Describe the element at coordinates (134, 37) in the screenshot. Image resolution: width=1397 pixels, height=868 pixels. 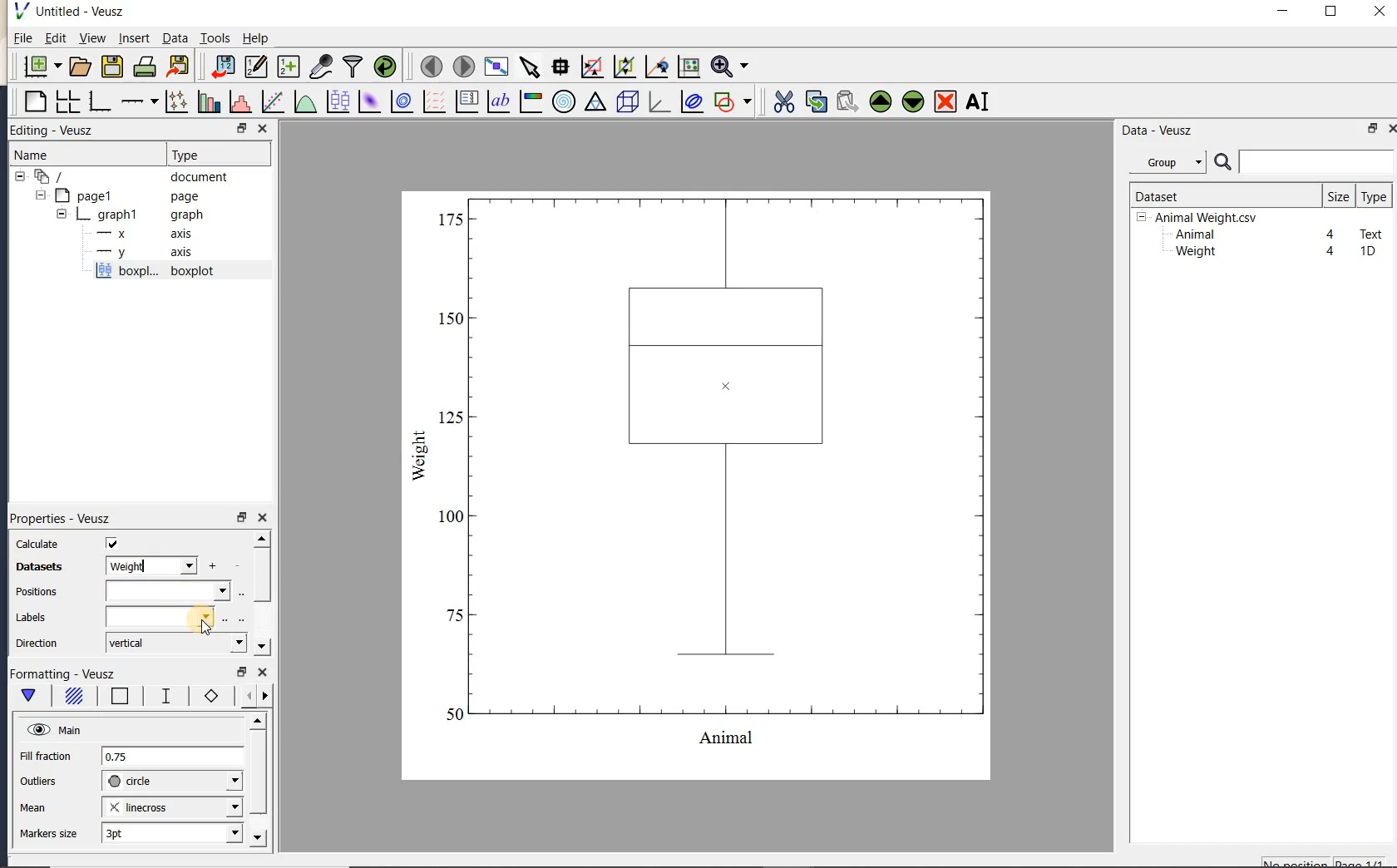
I see `insert` at that location.